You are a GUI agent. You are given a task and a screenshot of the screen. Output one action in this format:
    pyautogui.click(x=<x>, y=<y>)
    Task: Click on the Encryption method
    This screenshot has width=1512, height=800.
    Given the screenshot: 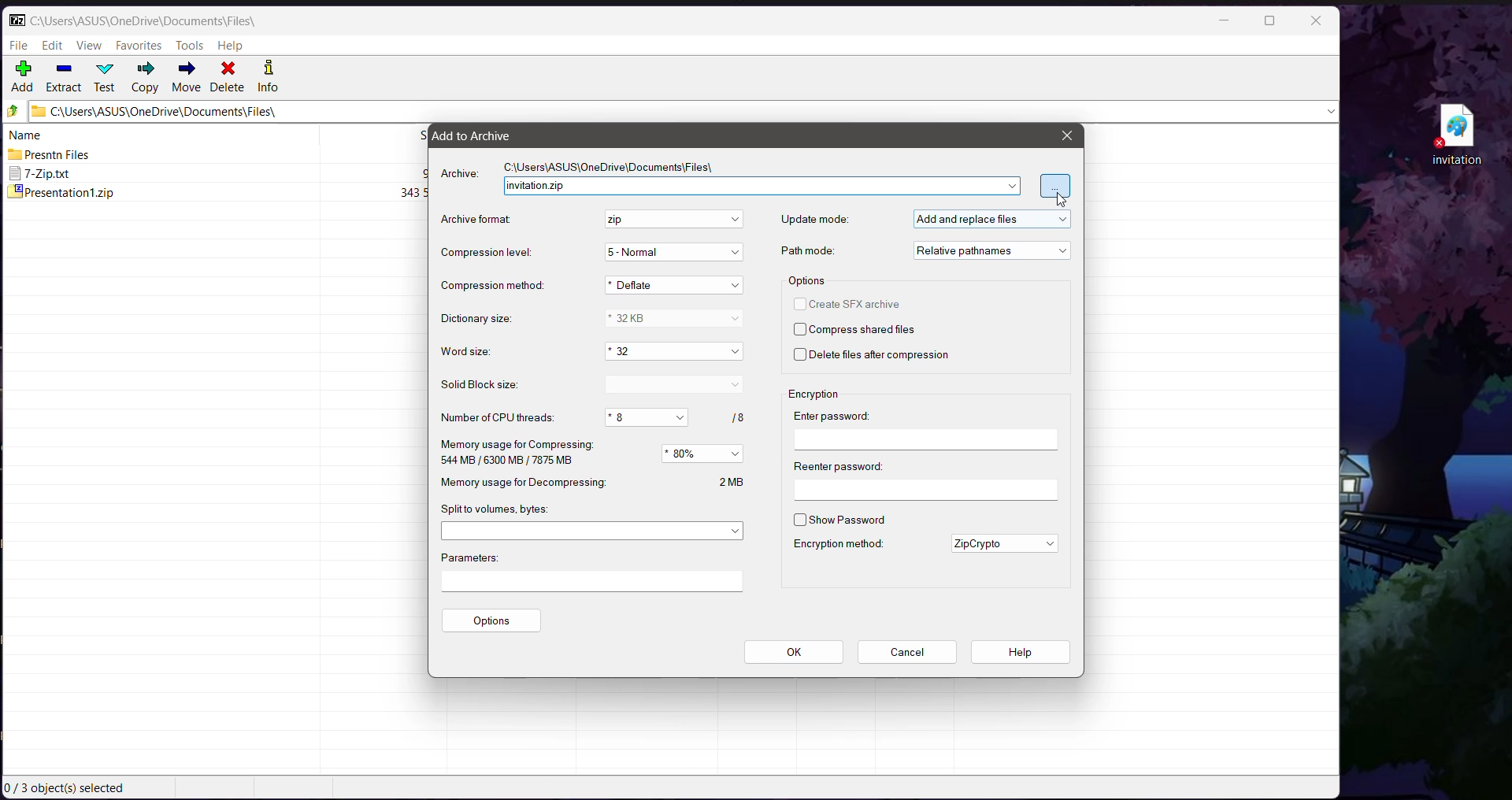 What is the action you would take?
    pyautogui.click(x=836, y=544)
    